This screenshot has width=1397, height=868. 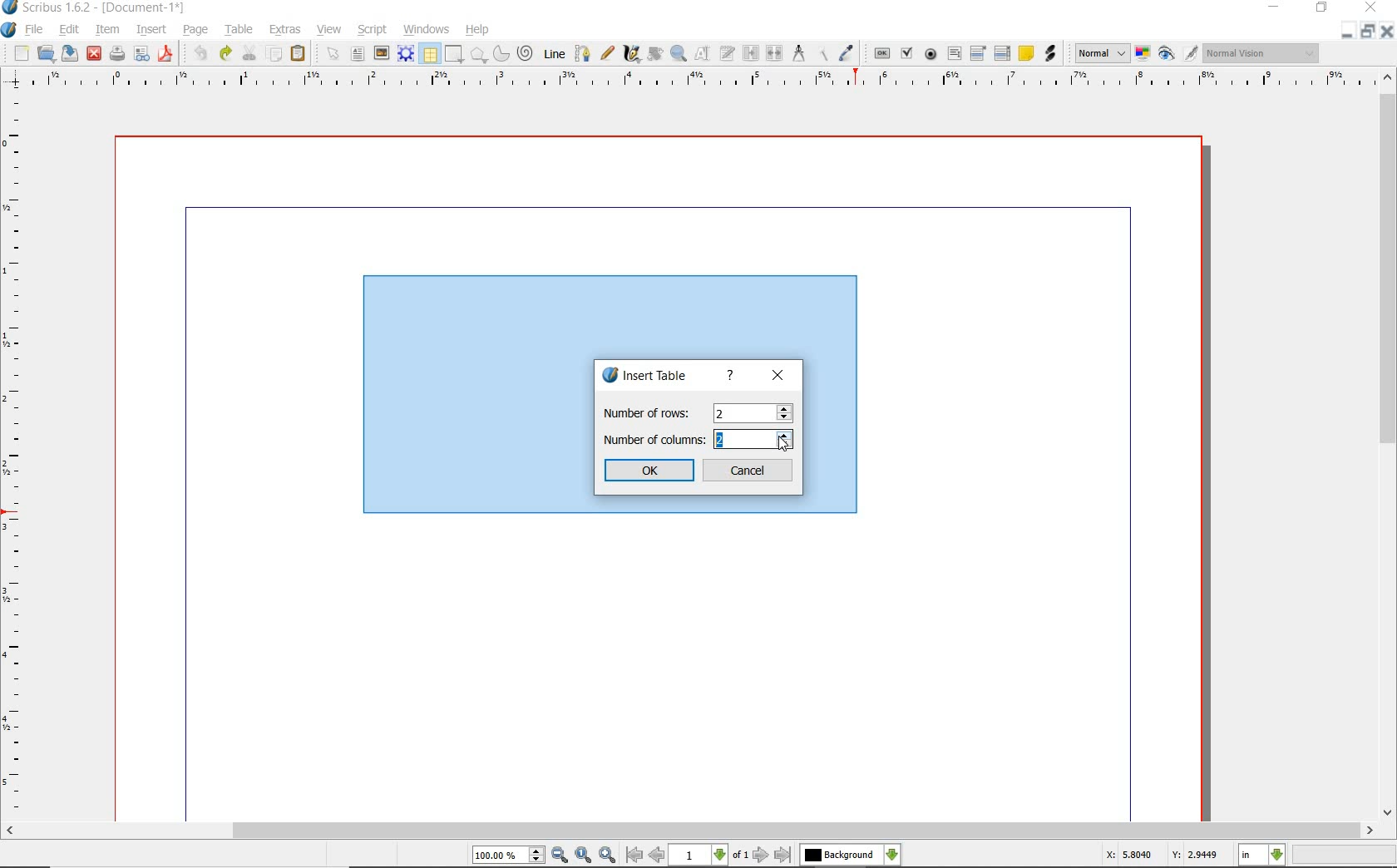 What do you see at coordinates (336, 57) in the screenshot?
I see `select` at bounding box center [336, 57].